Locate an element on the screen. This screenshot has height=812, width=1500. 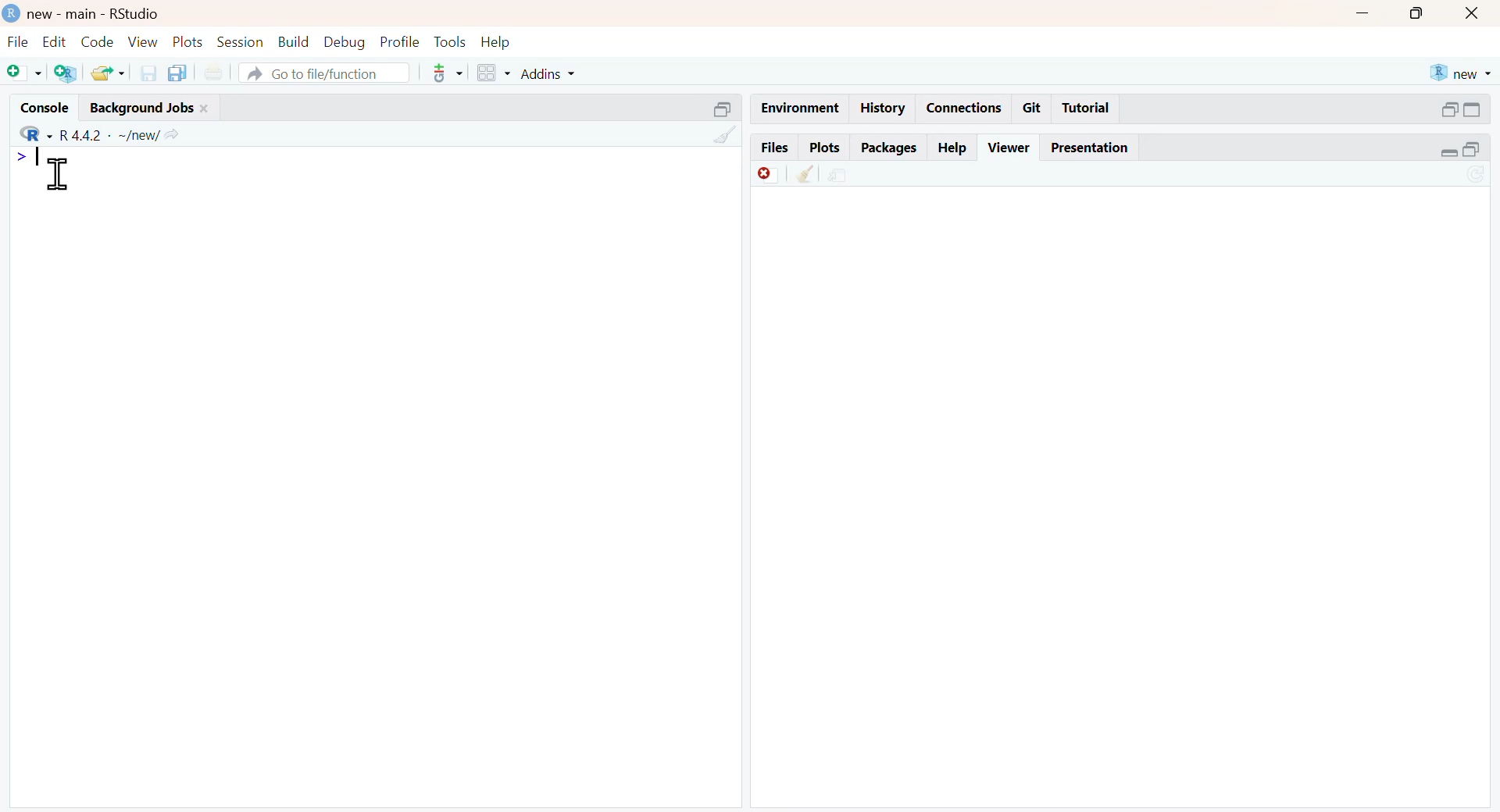
open in separate window is located at coordinates (1448, 109).